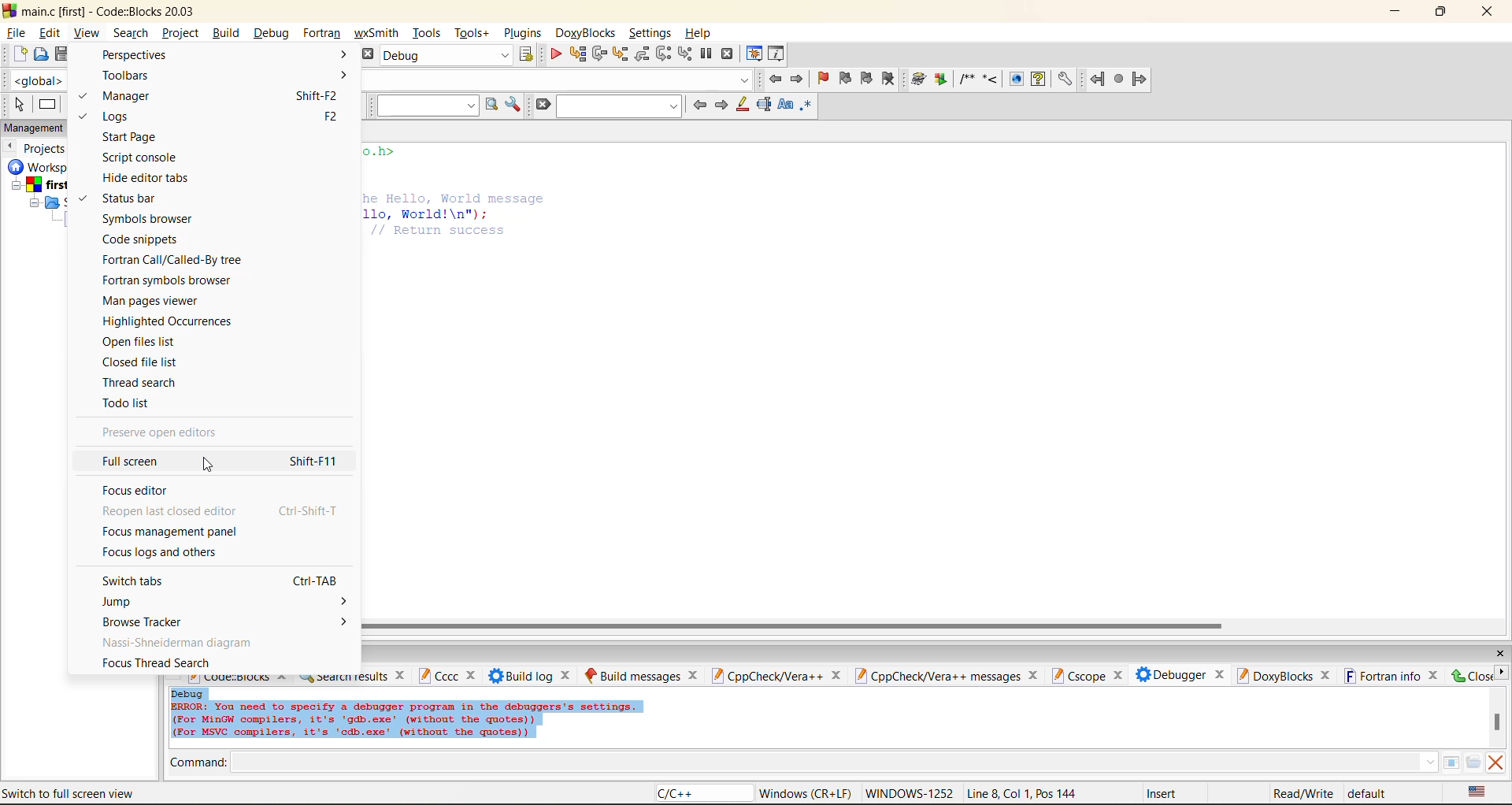 The height and width of the screenshot is (805, 1512). I want to click on close, so click(1497, 655).